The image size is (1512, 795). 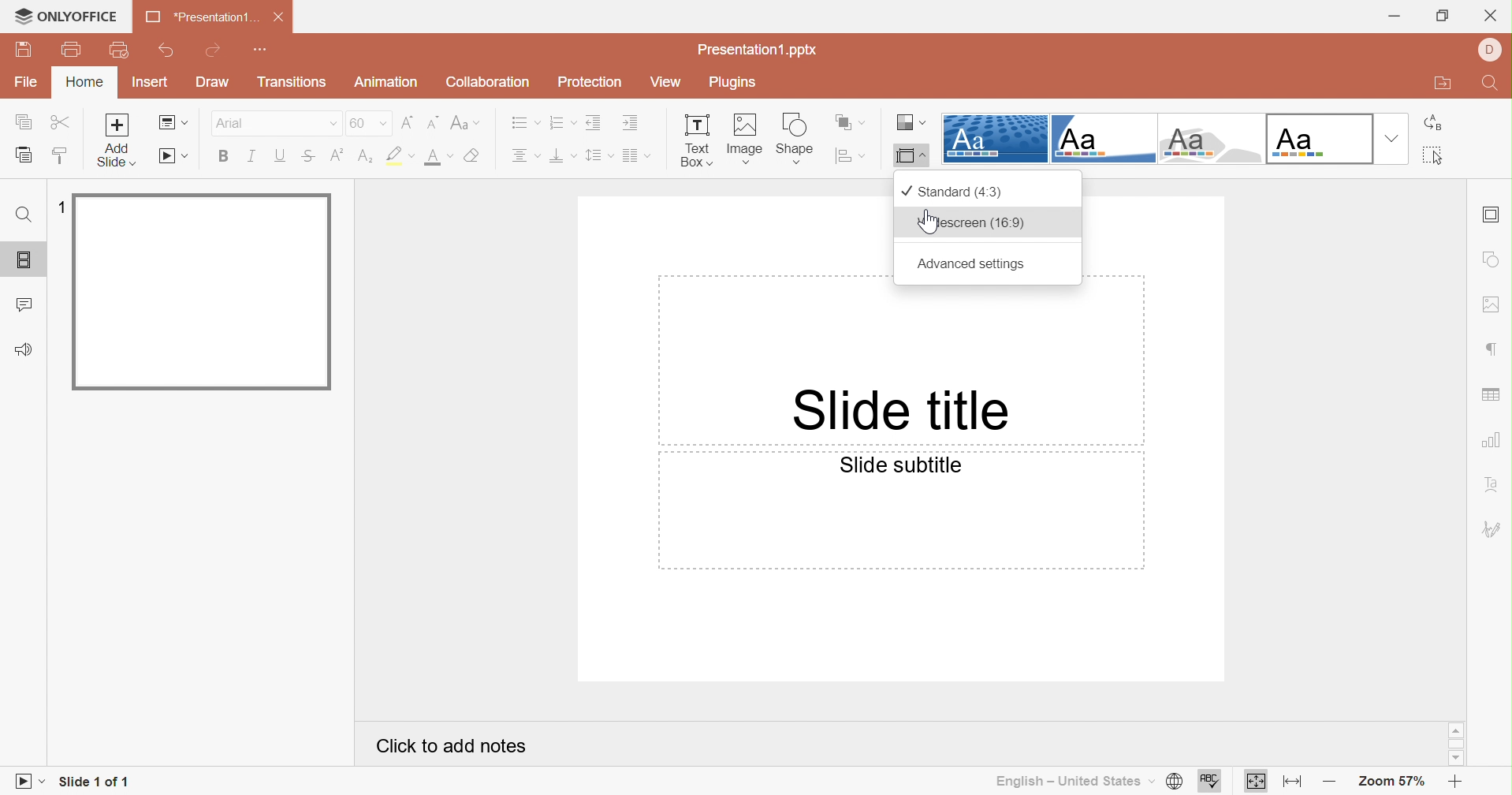 I want to click on Print file, so click(x=74, y=48).